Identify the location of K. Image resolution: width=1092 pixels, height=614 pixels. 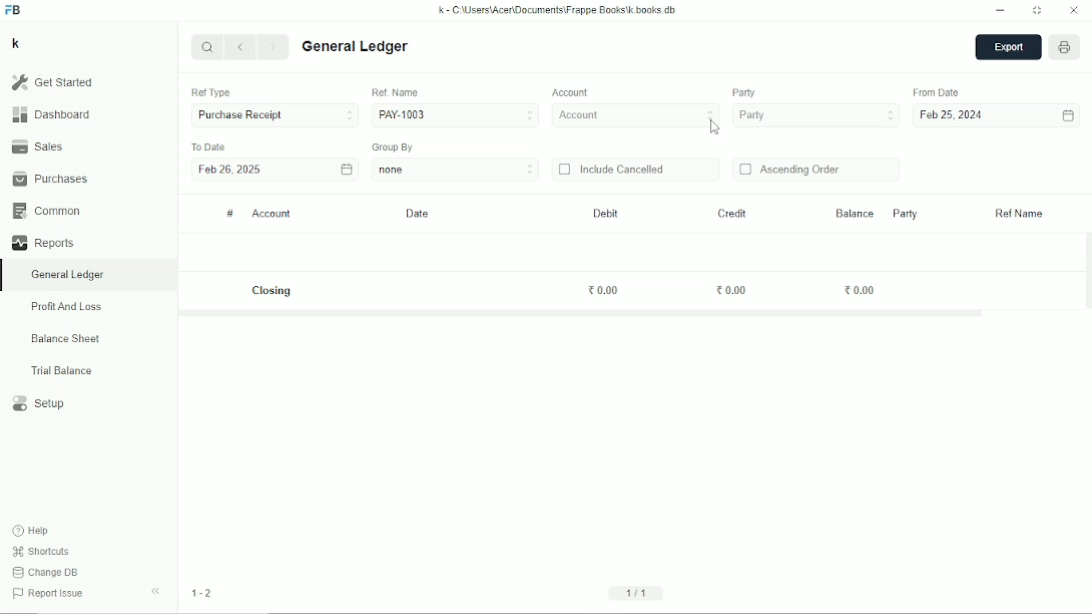
(16, 43).